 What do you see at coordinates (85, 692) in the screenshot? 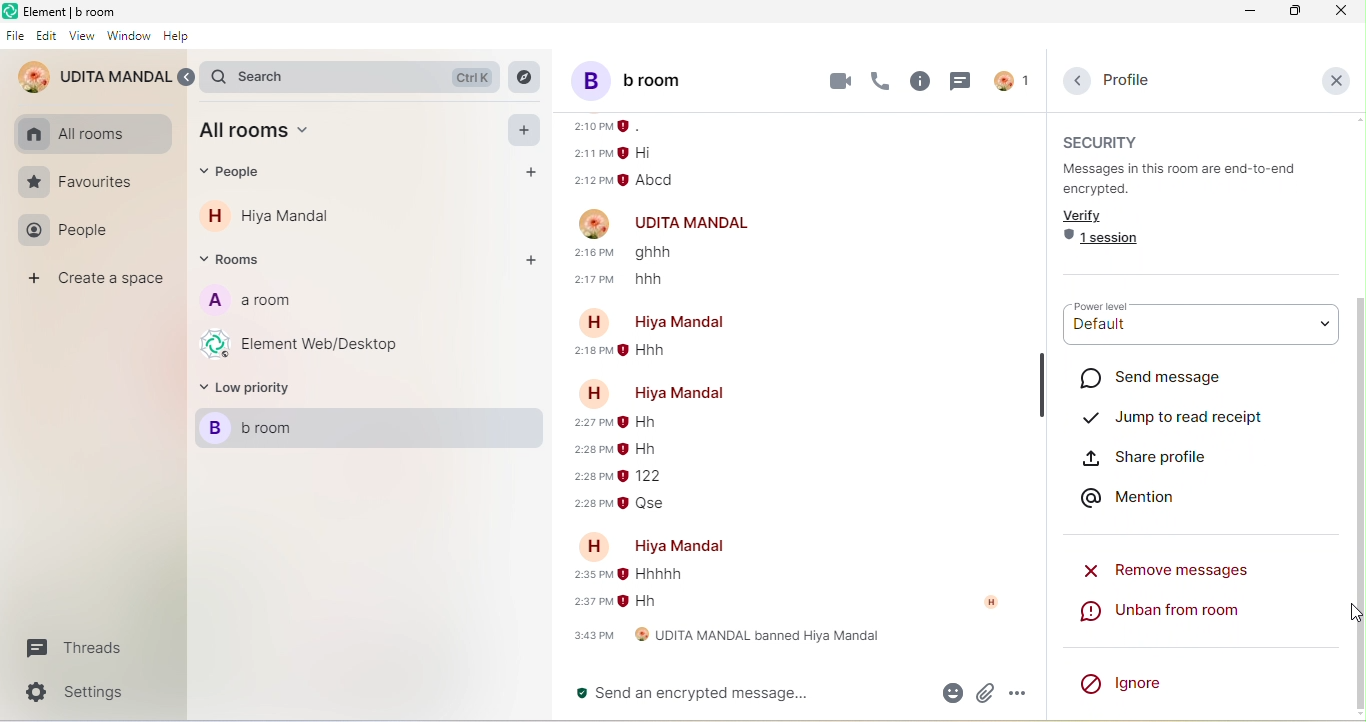
I see `settings` at bounding box center [85, 692].